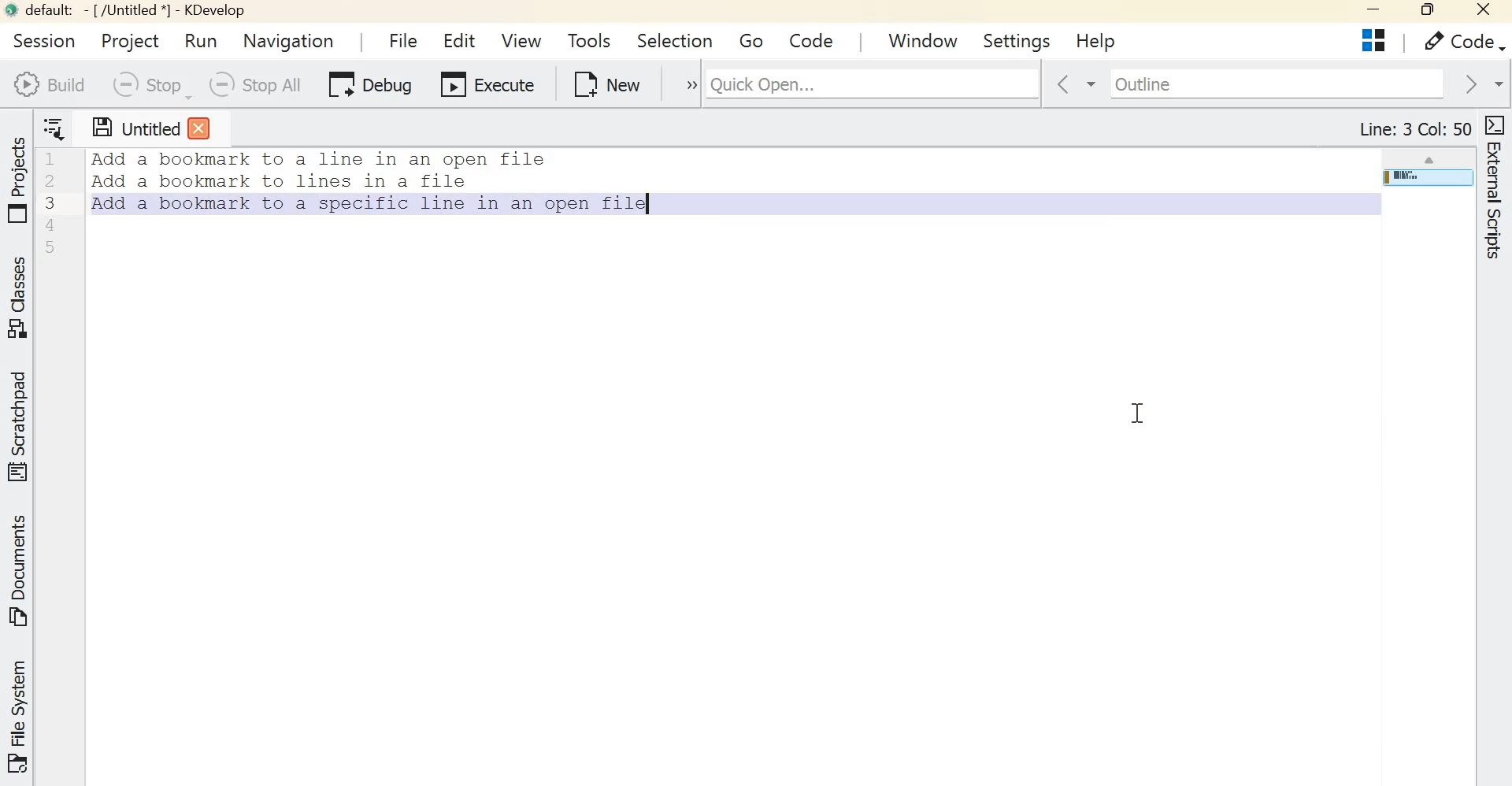 This screenshot has height=786, width=1512. Describe the element at coordinates (754, 39) in the screenshot. I see `Go` at that location.